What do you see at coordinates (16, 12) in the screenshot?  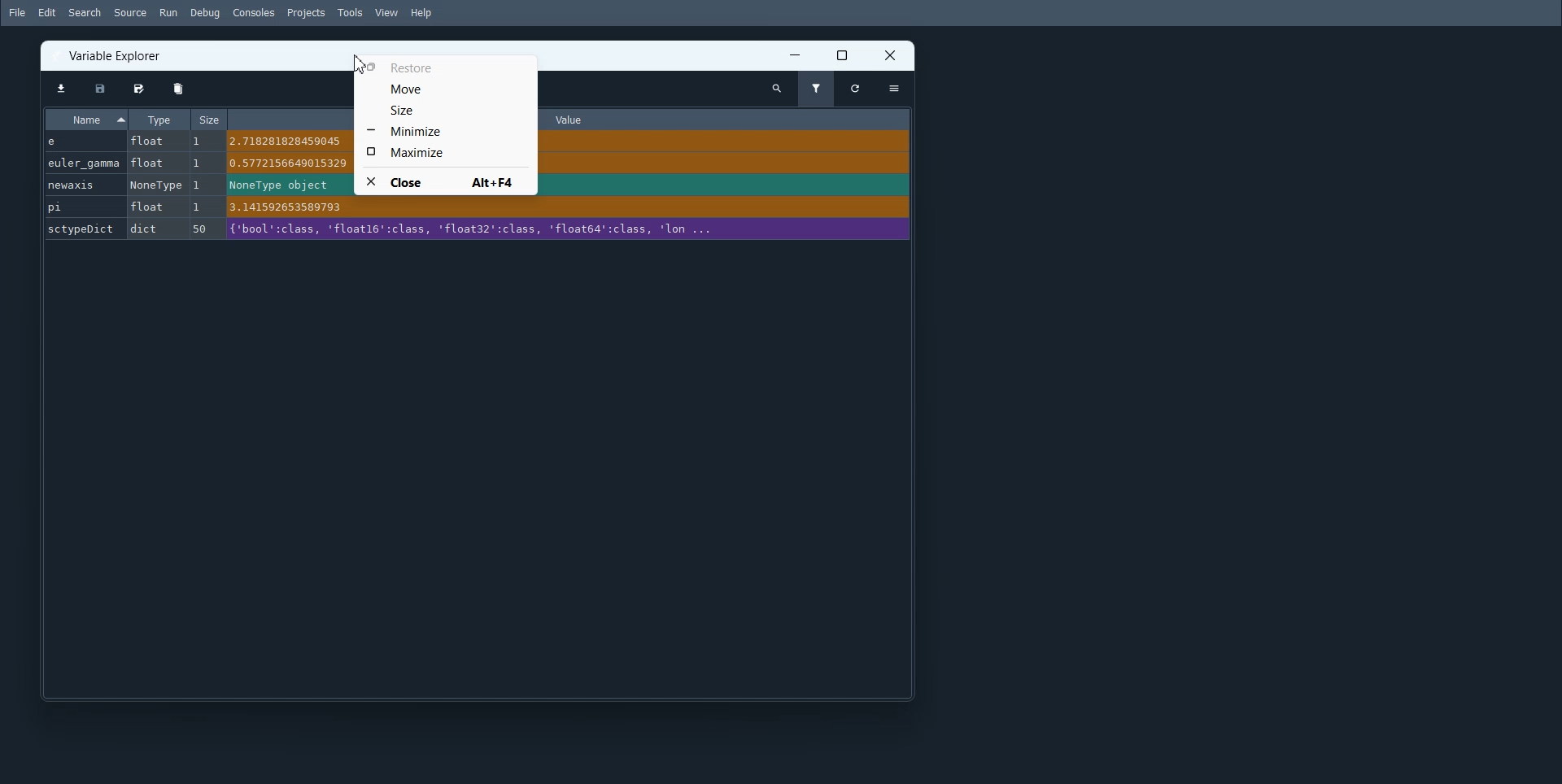 I see `File` at bounding box center [16, 12].